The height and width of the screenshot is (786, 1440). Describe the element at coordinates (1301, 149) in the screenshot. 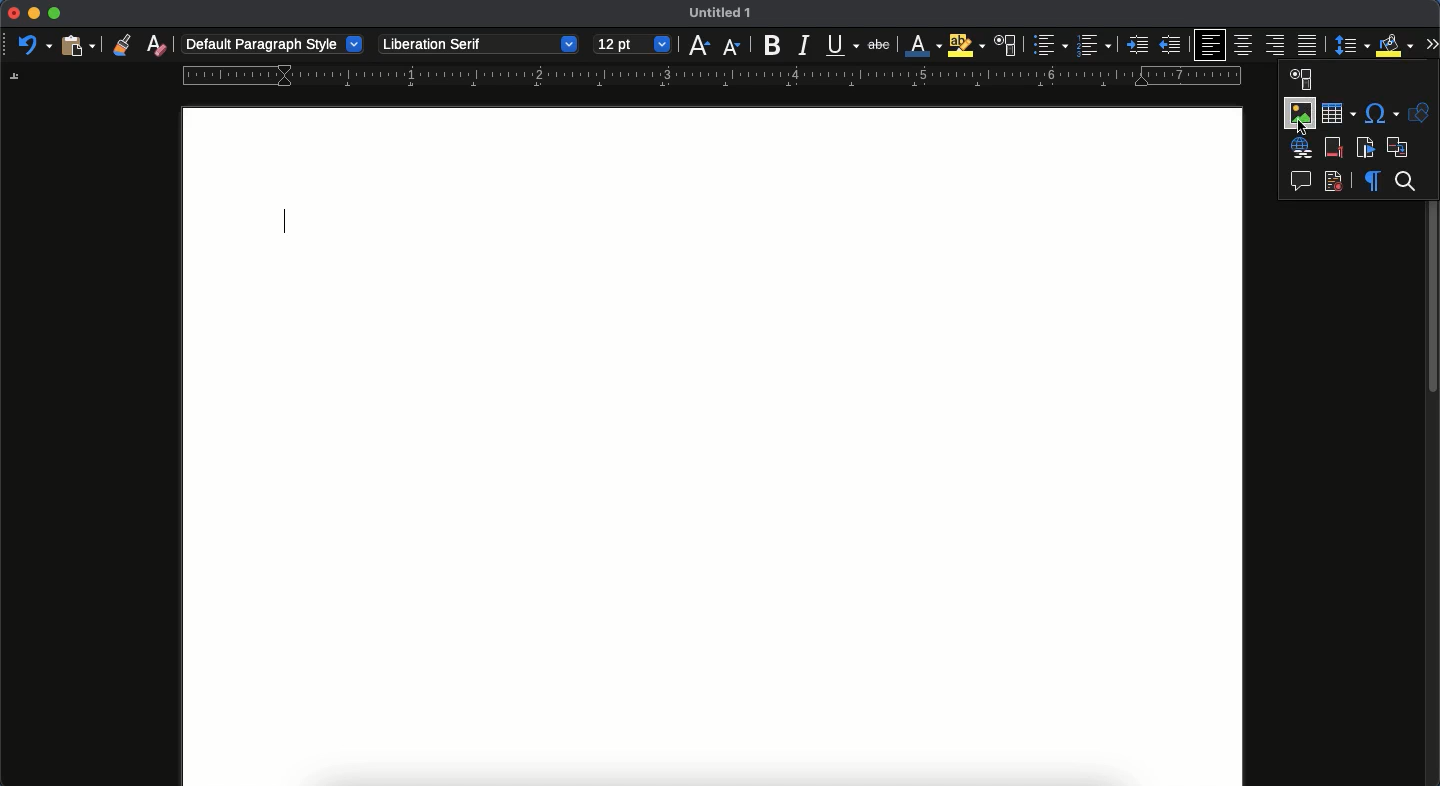

I see `hyperlink` at that location.